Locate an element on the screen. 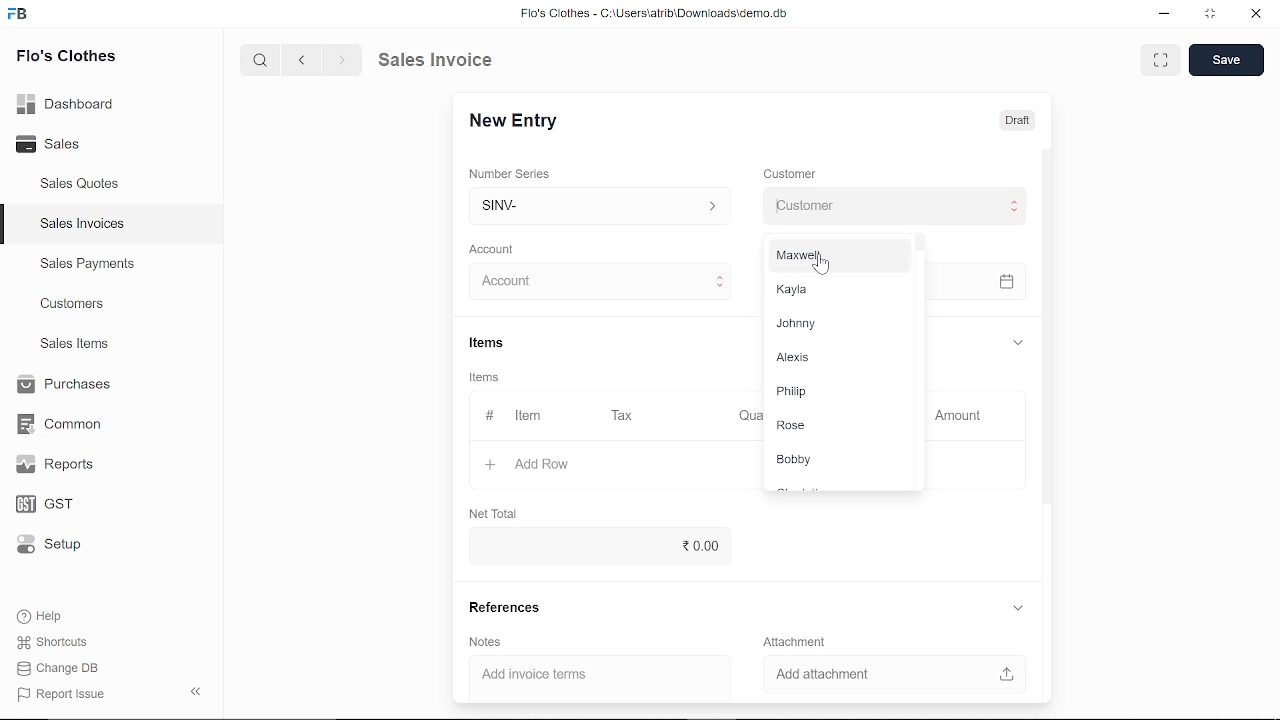 This screenshot has width=1280, height=720. References. is located at coordinates (506, 610).